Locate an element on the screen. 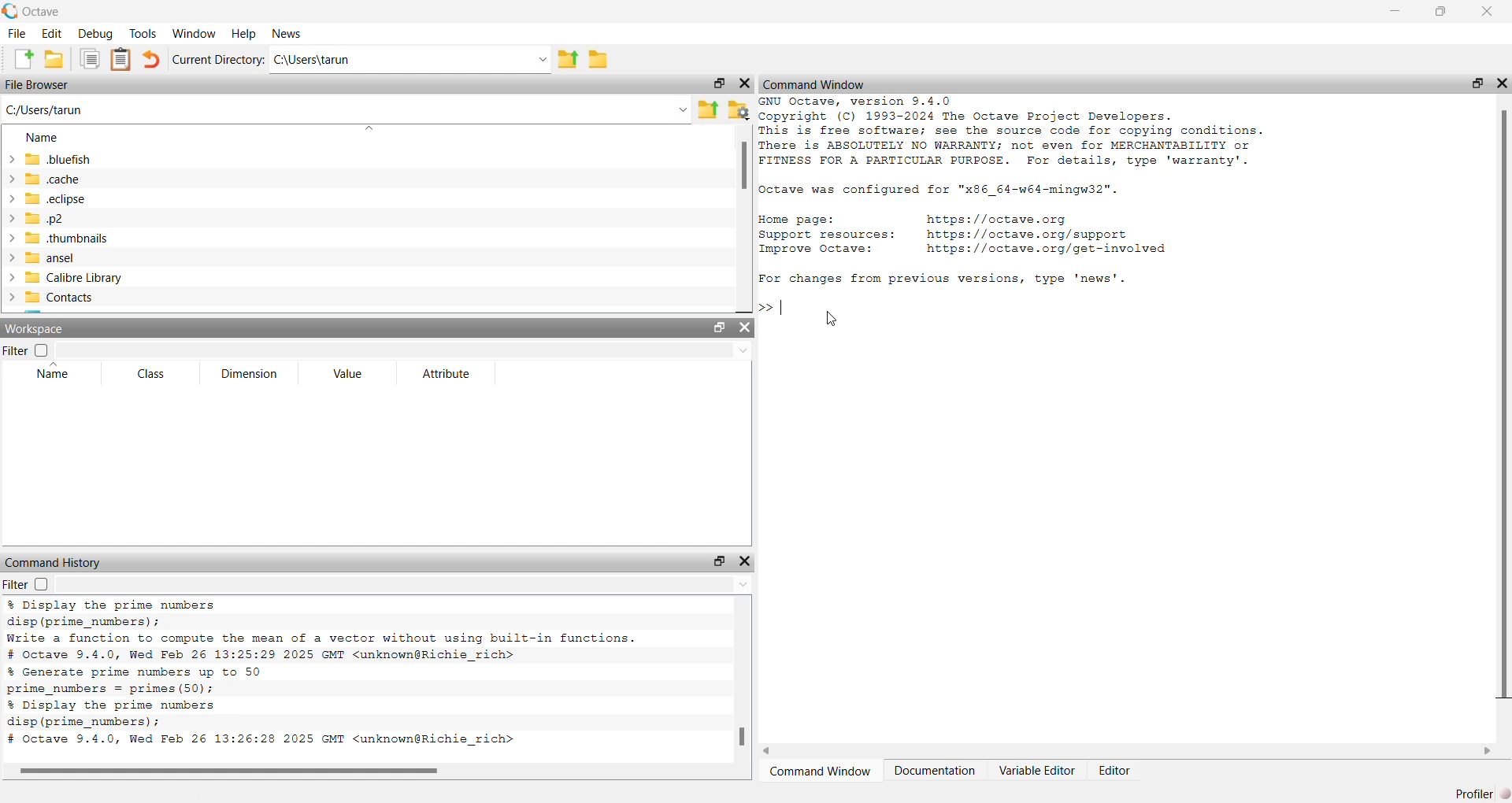 The image size is (1512, 803). .cache is located at coordinates (52, 179).